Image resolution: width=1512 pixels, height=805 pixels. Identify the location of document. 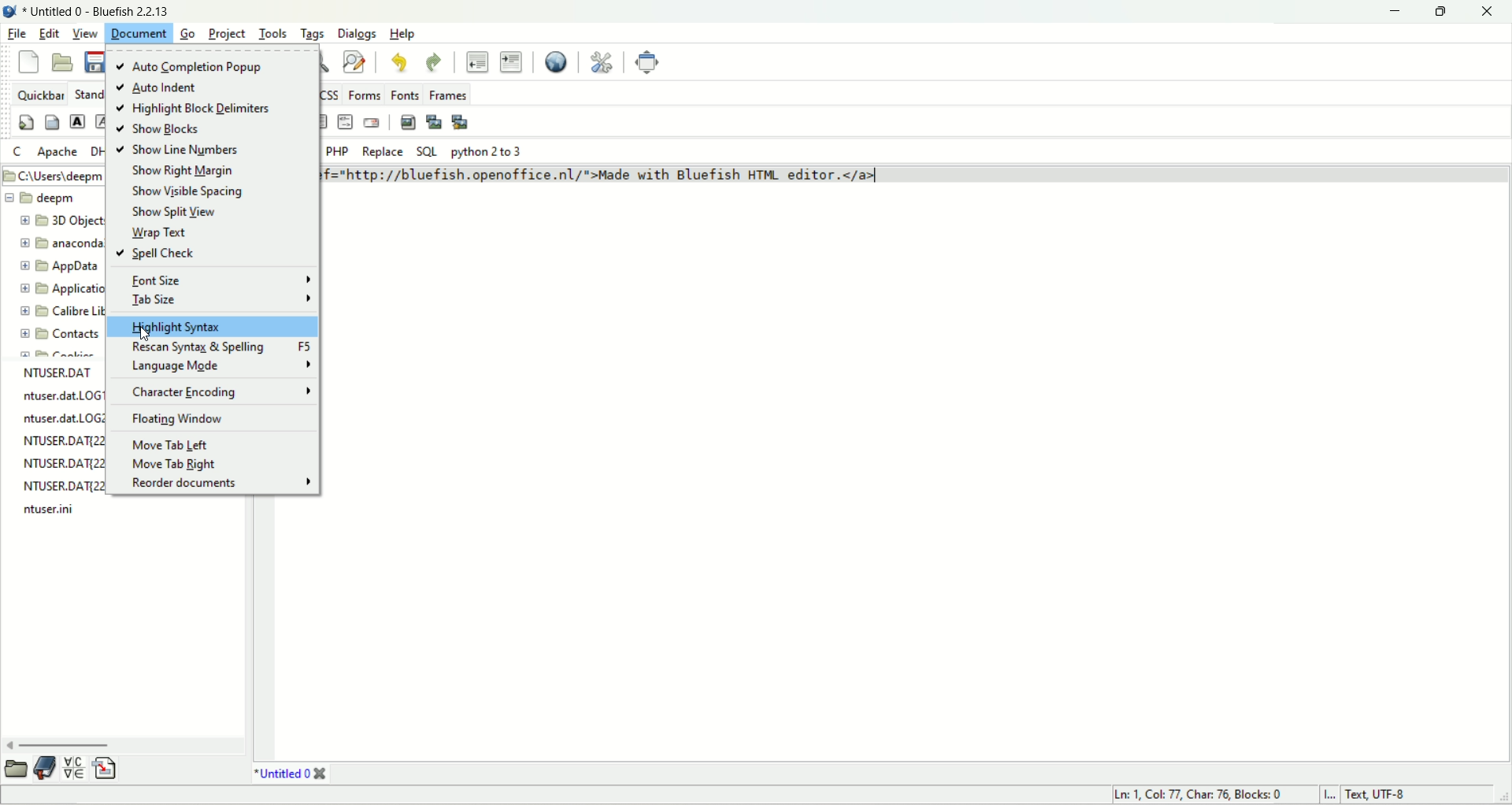
(143, 37).